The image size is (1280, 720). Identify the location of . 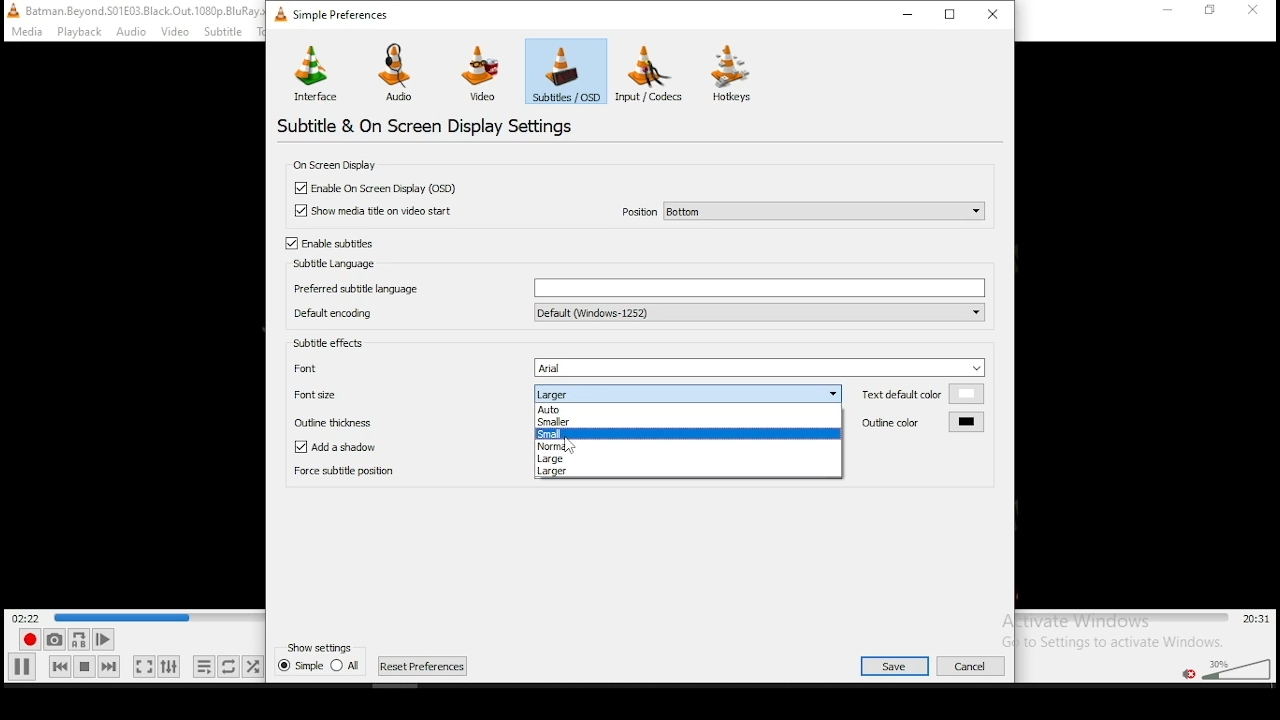
(572, 446).